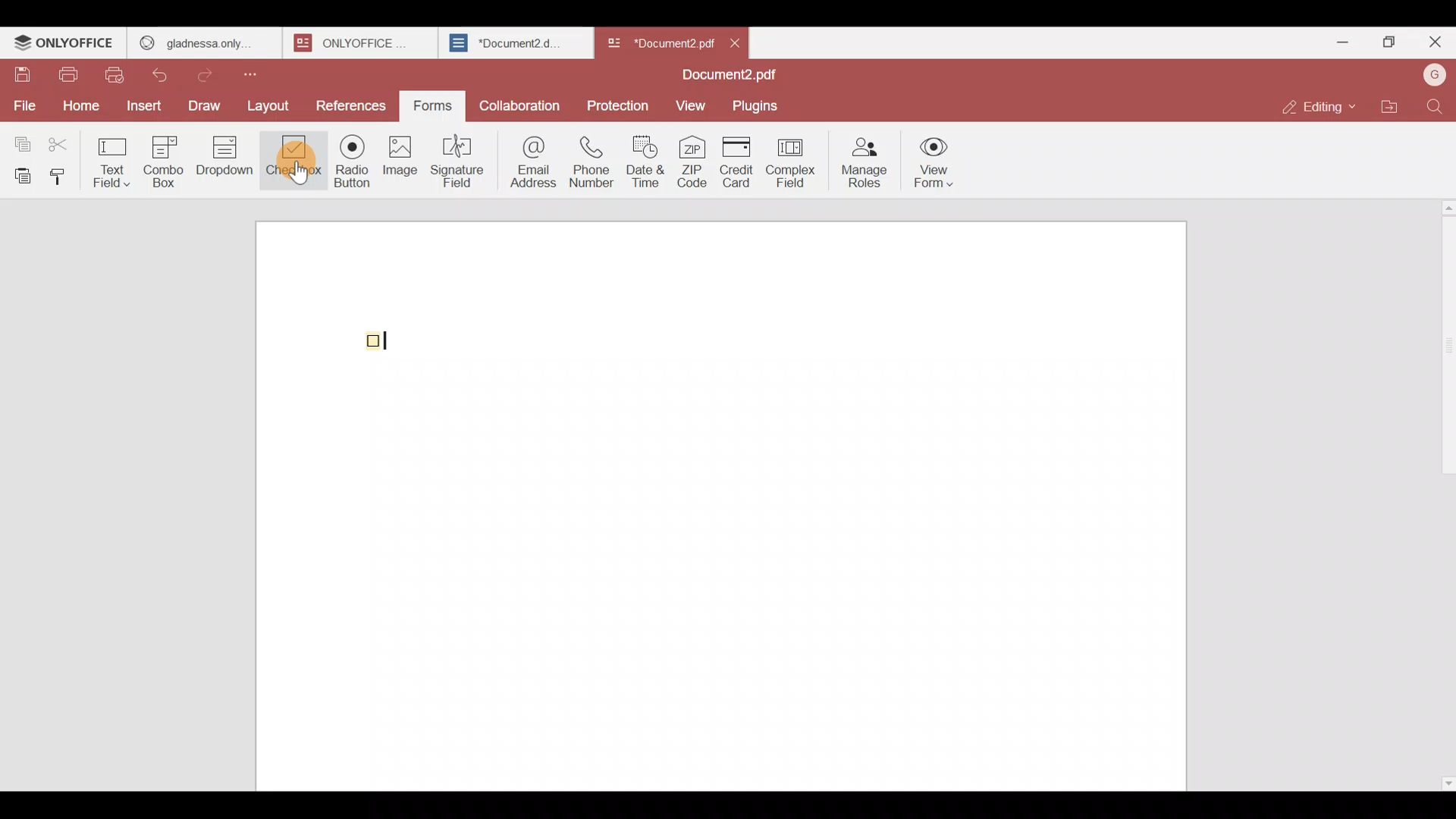 The width and height of the screenshot is (1456, 819). What do you see at coordinates (263, 71) in the screenshot?
I see `Customize quick access toolbar` at bounding box center [263, 71].